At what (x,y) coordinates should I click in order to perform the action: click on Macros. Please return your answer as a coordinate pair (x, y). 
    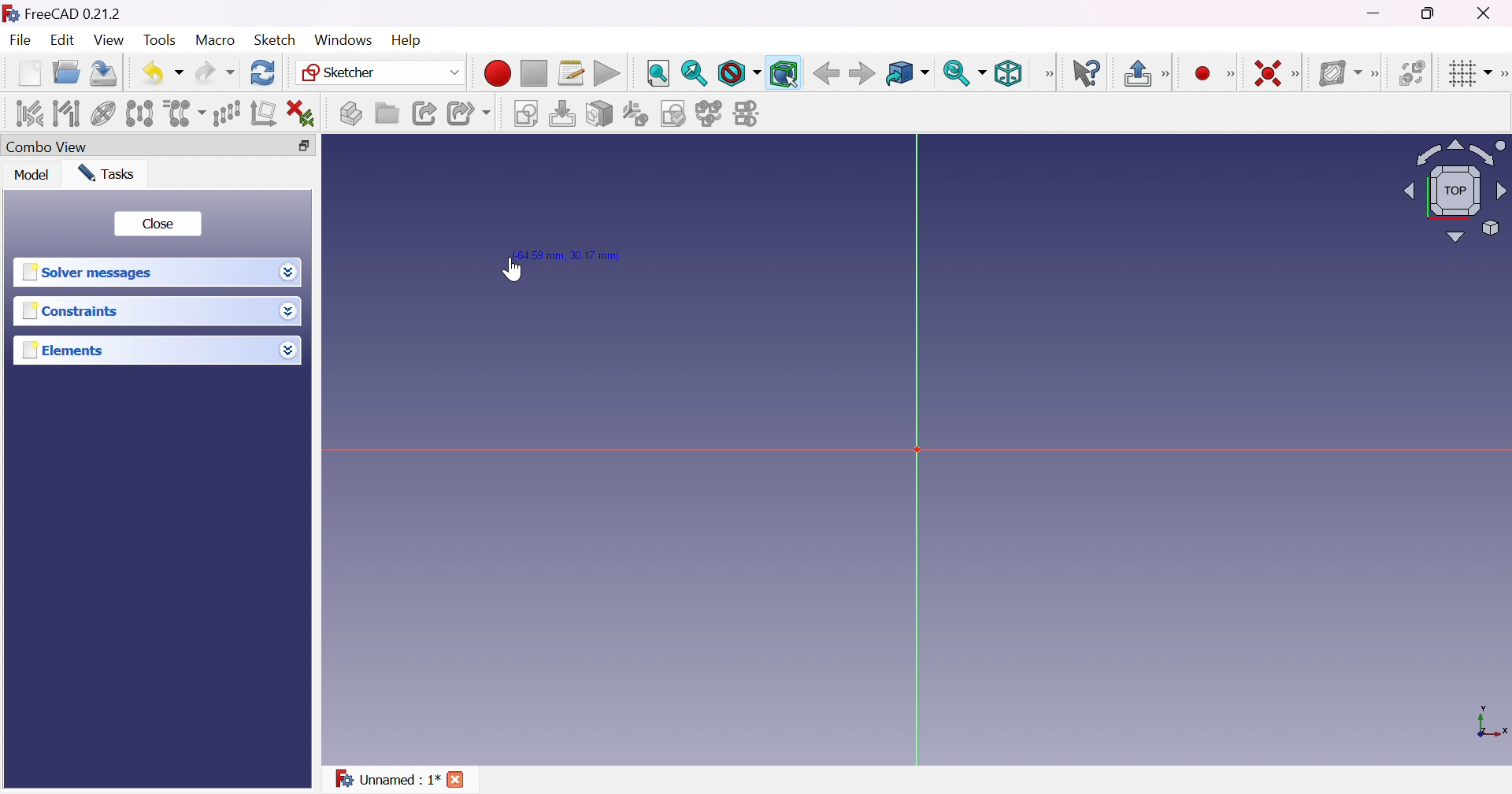
    Looking at the image, I should click on (572, 72).